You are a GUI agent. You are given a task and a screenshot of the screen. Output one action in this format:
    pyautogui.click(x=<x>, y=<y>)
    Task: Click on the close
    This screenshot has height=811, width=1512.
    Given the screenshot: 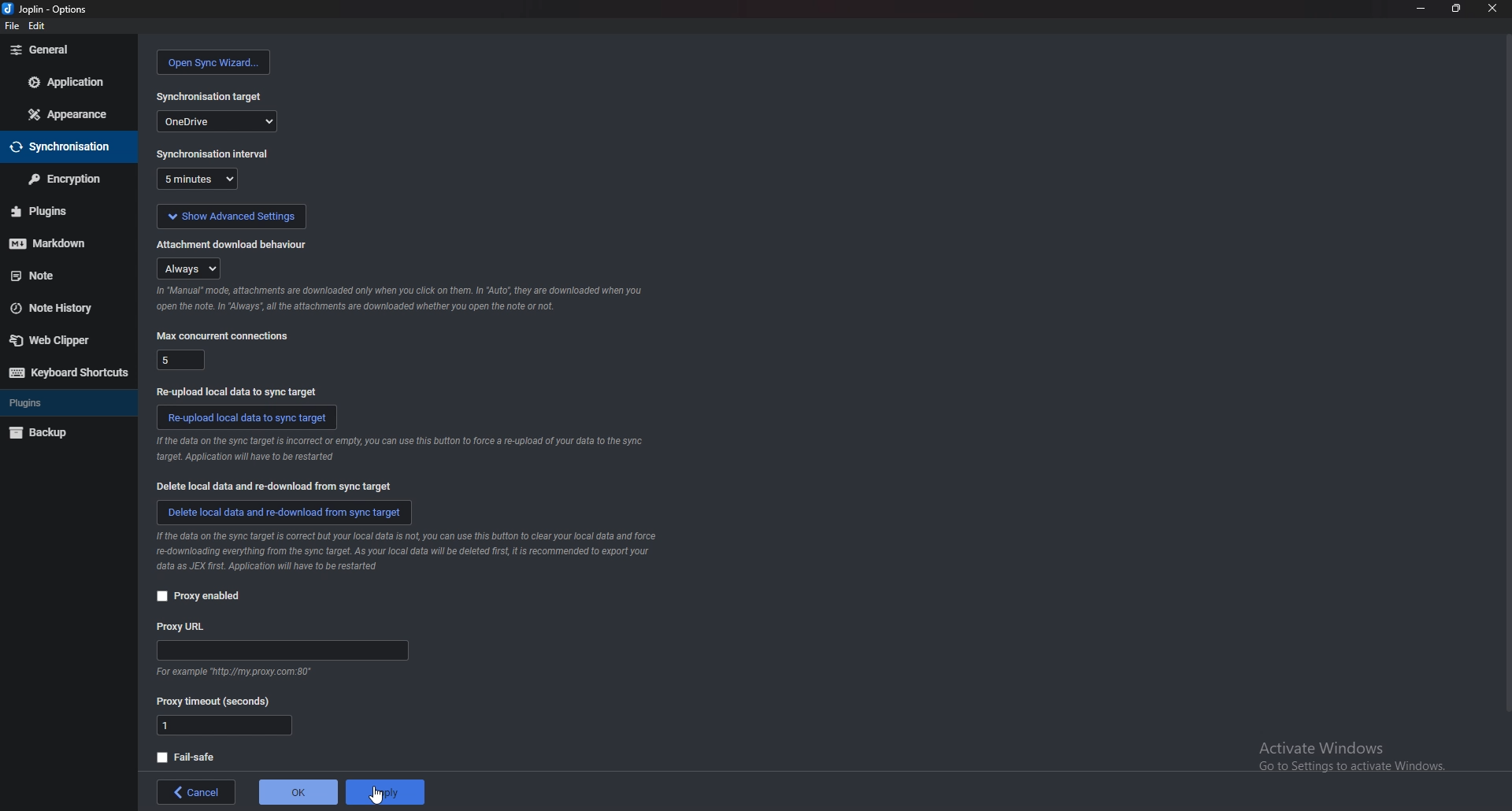 What is the action you would take?
    pyautogui.click(x=1492, y=9)
    